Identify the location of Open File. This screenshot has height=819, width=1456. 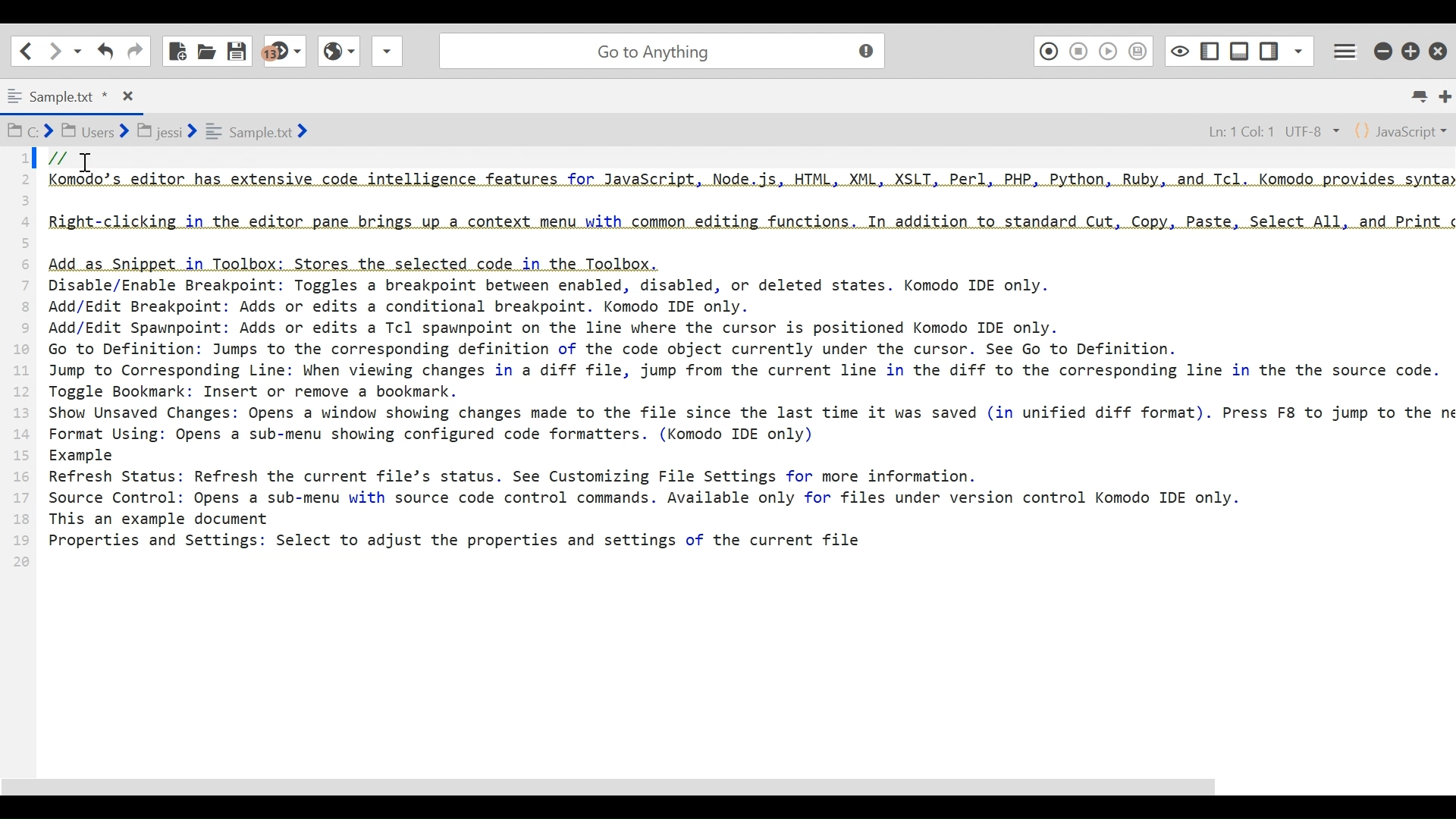
(206, 49).